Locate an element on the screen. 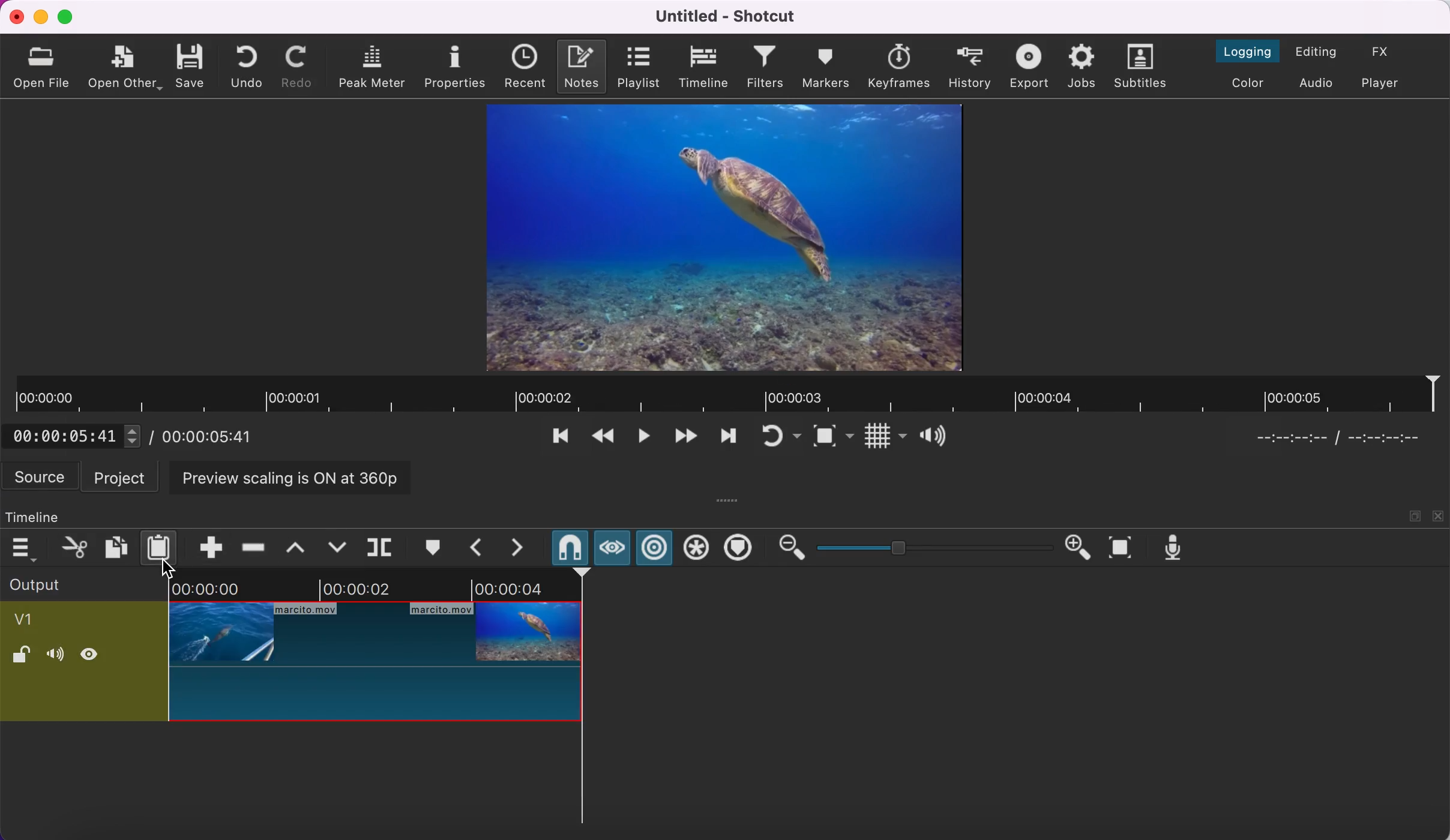  skip to previous point is located at coordinates (560, 434).